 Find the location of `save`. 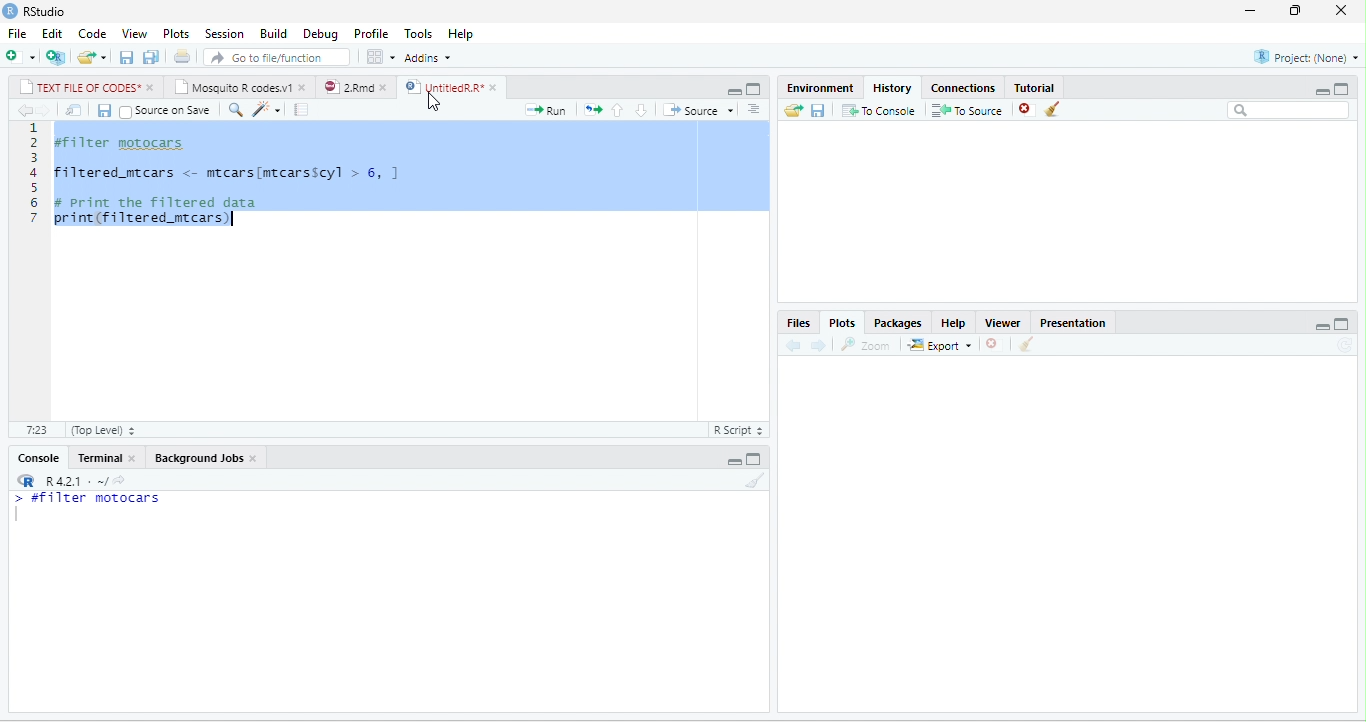

save is located at coordinates (104, 111).